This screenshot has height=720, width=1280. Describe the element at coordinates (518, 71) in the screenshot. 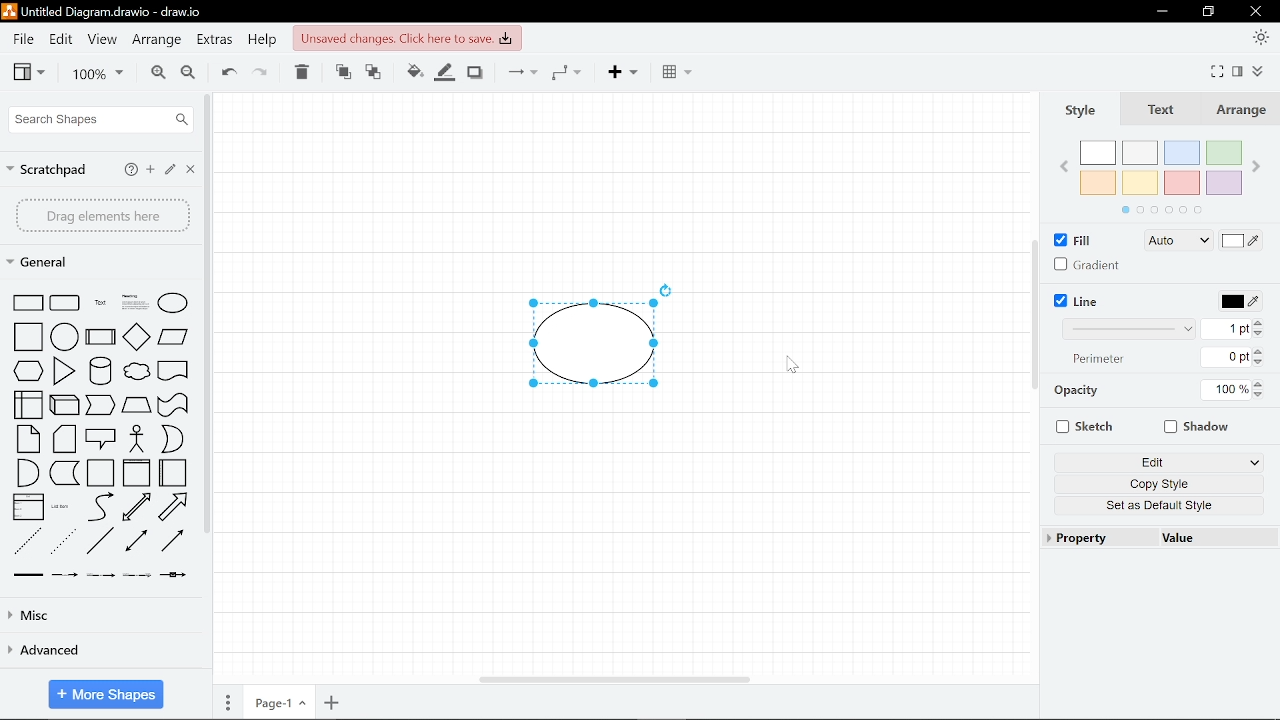

I see `Connector` at that location.